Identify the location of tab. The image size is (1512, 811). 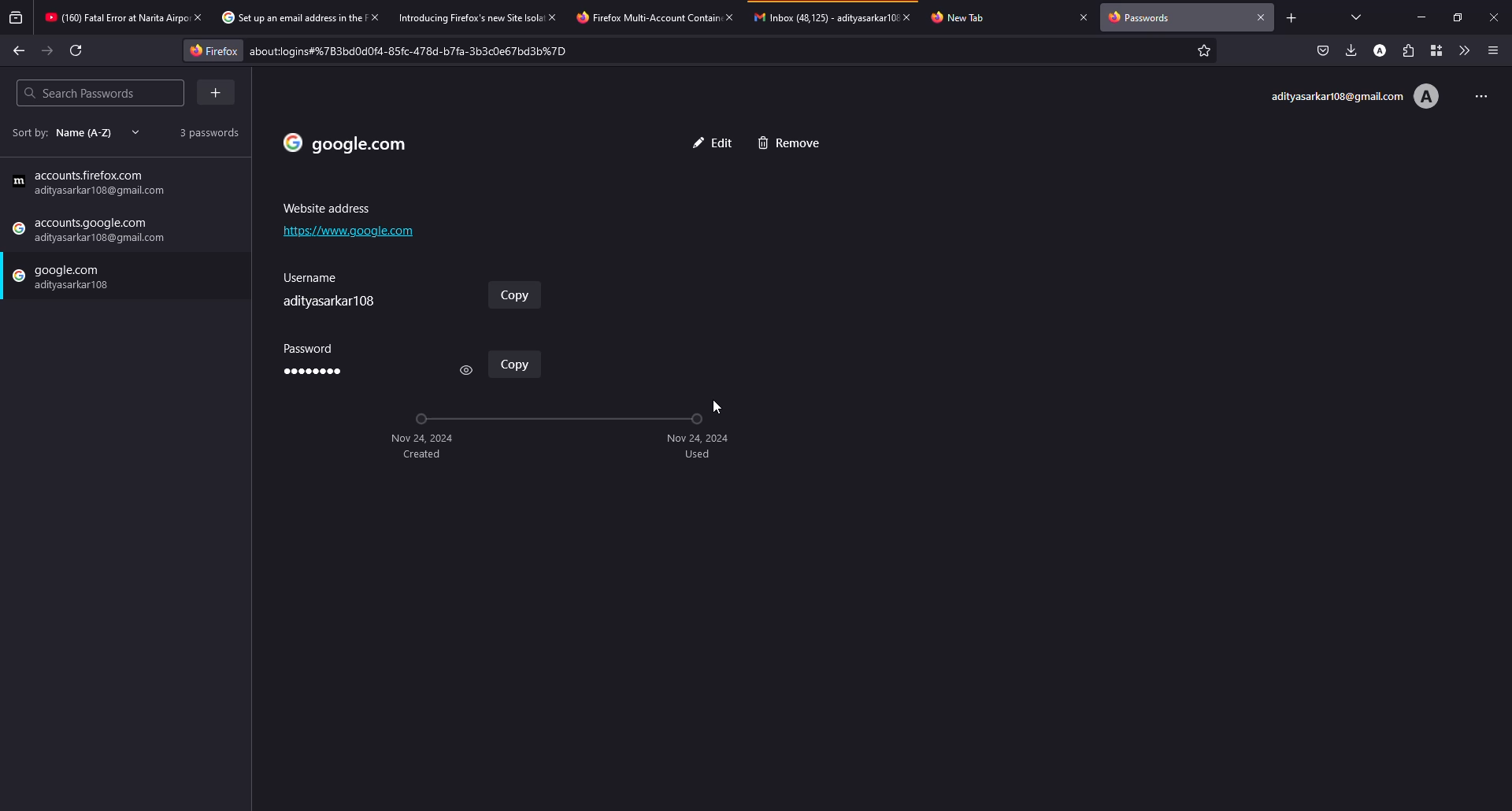
(469, 17).